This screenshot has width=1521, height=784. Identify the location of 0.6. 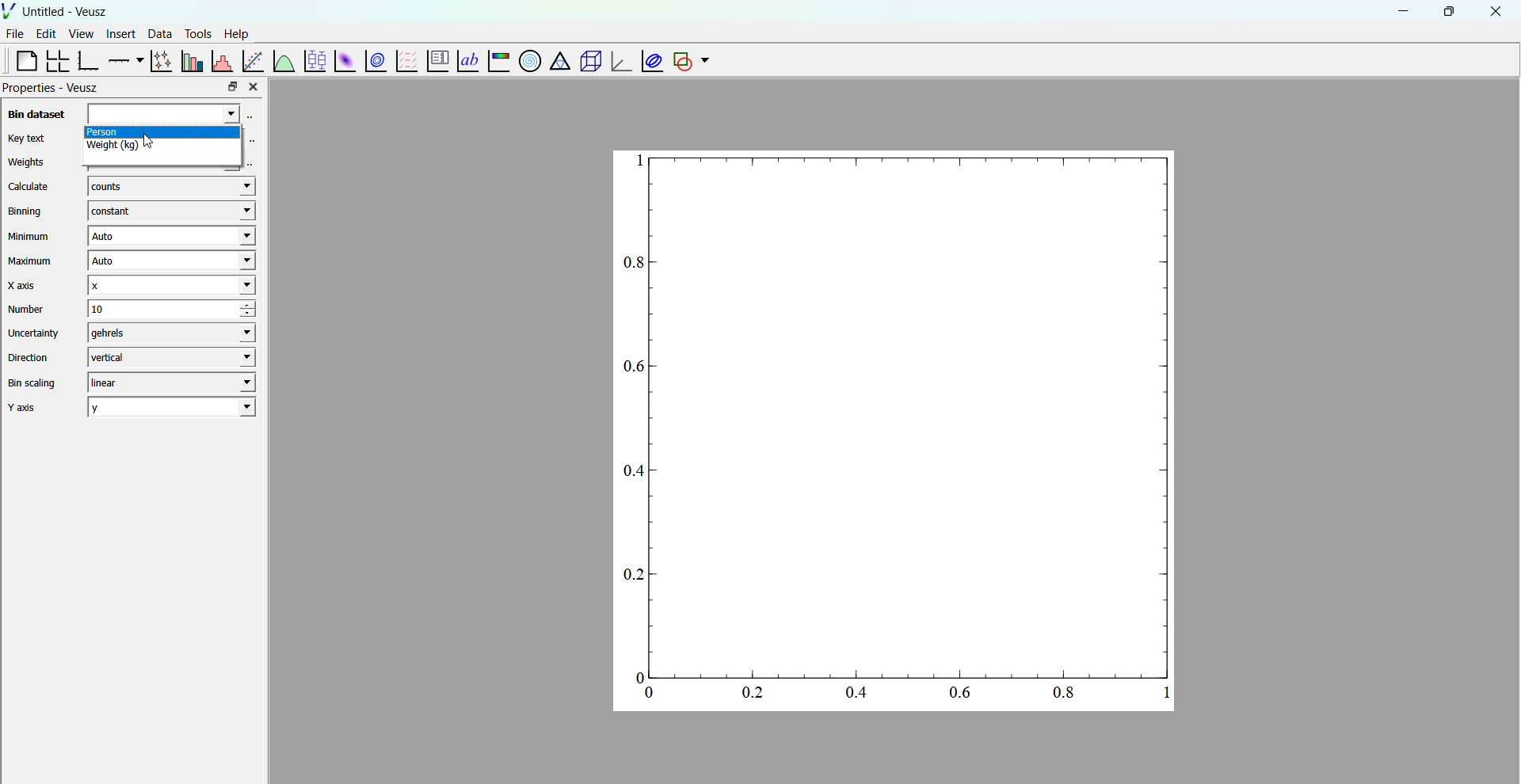
(959, 693).